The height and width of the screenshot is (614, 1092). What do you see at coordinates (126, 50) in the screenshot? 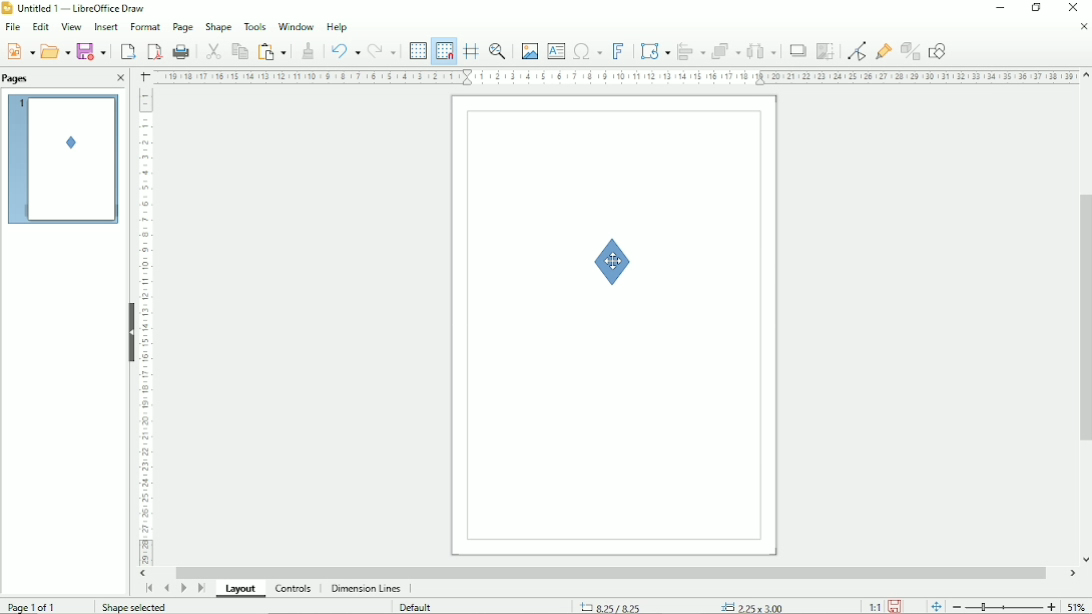
I see `Export` at bounding box center [126, 50].